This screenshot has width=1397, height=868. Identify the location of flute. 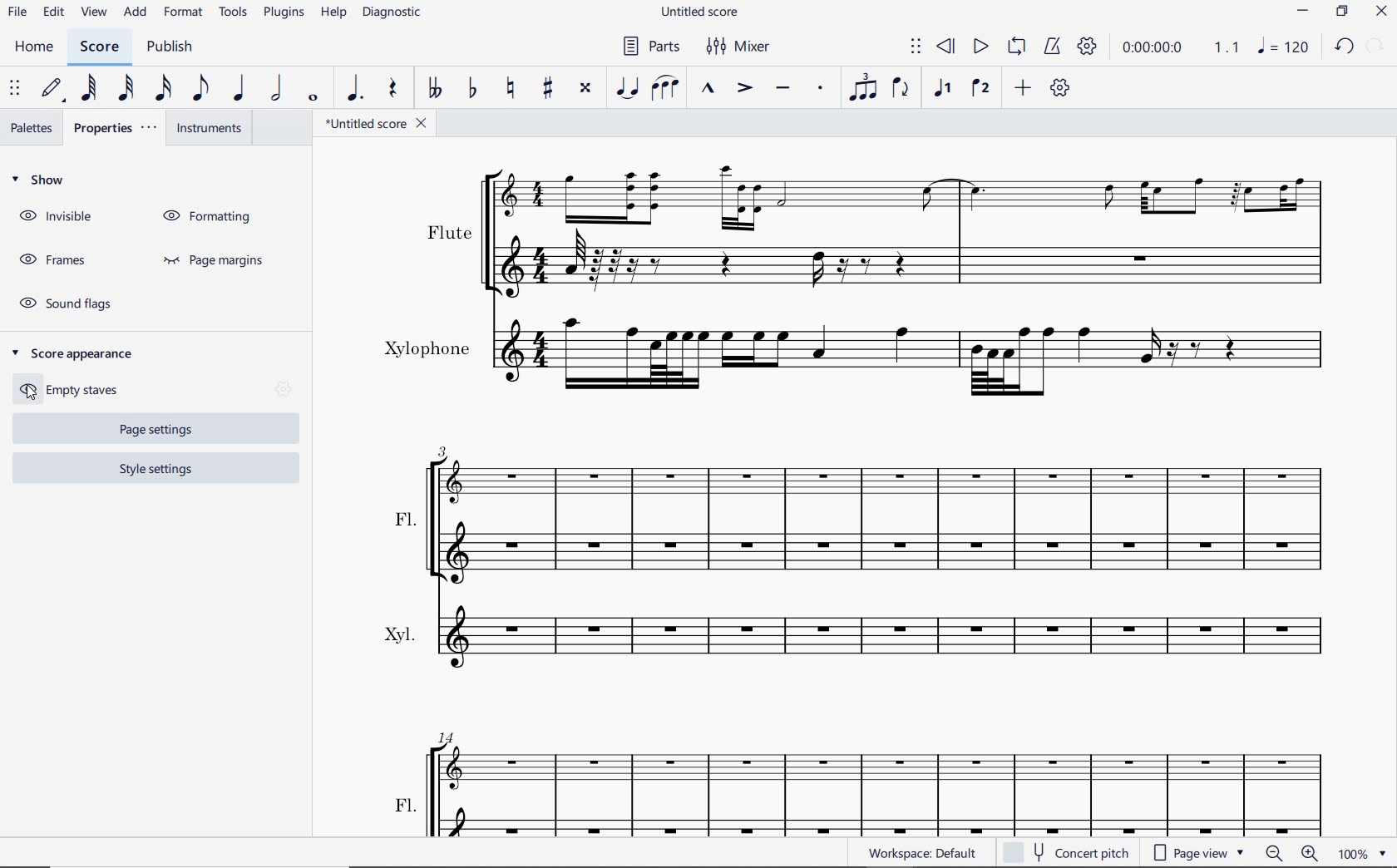
(876, 229).